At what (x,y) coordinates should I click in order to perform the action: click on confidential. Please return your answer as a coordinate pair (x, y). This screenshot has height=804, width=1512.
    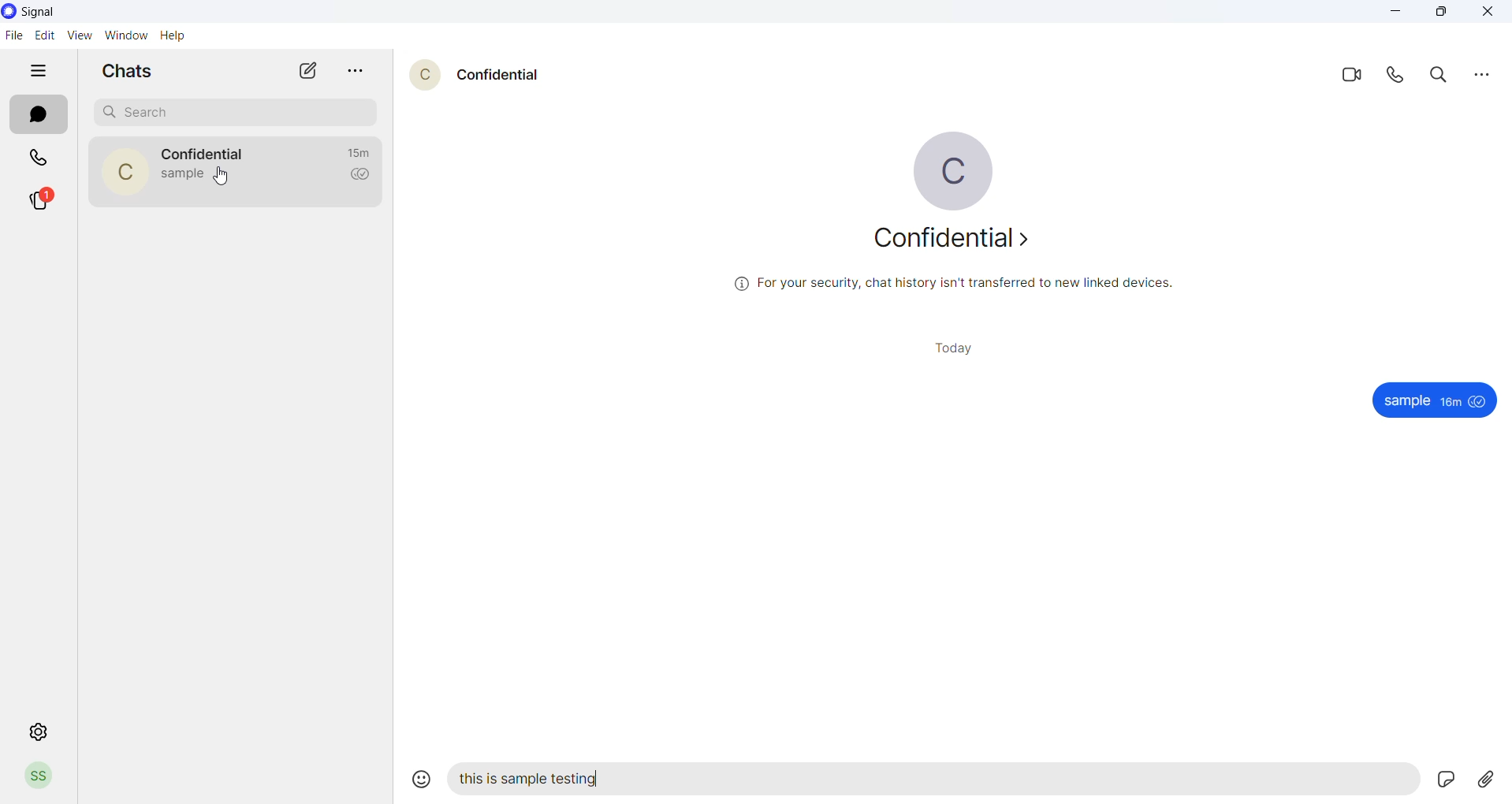
    Looking at the image, I should click on (497, 77).